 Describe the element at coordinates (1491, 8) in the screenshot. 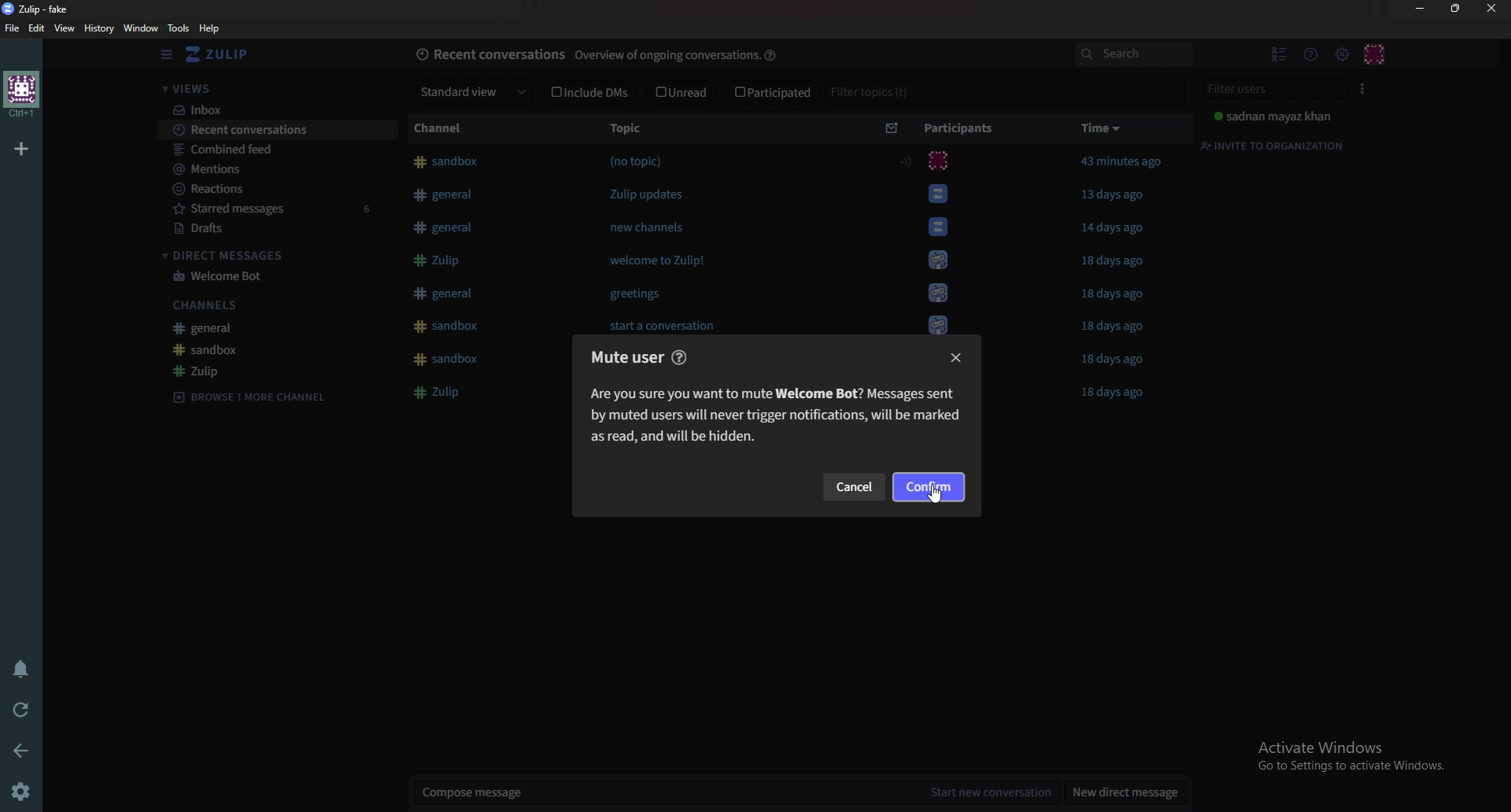

I see `close` at that location.